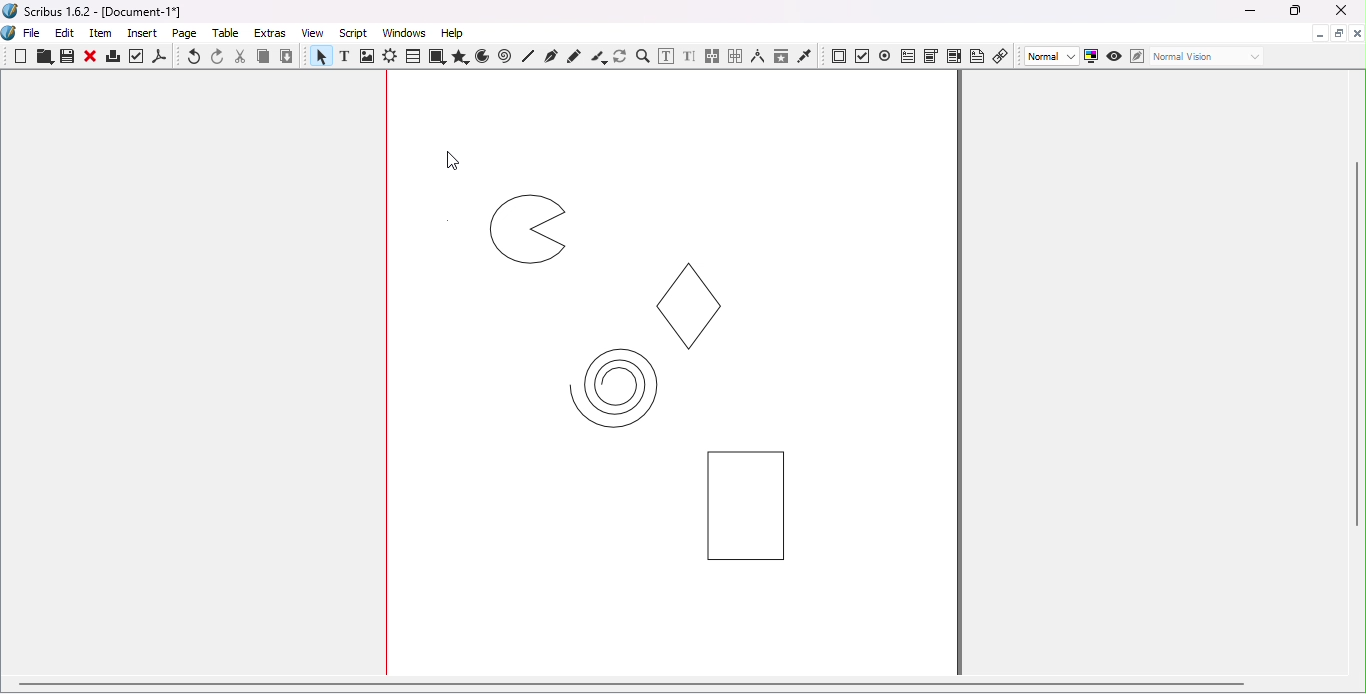 This screenshot has height=694, width=1366. Describe the element at coordinates (1249, 12) in the screenshot. I see `Minimize` at that location.